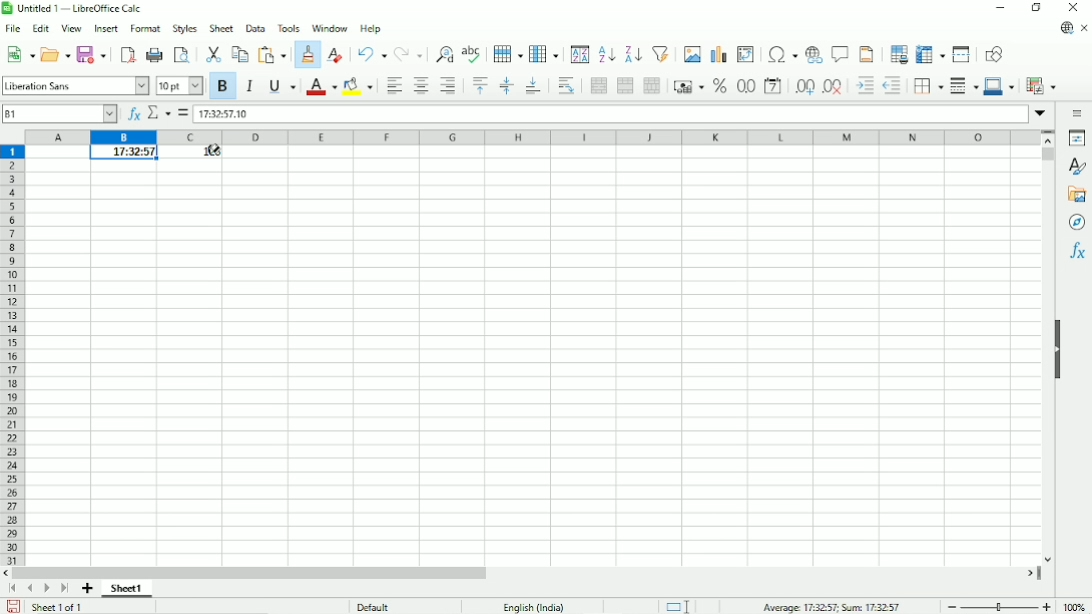 This screenshot has height=614, width=1092. What do you see at coordinates (64, 589) in the screenshot?
I see `Scroll to last sheet` at bounding box center [64, 589].